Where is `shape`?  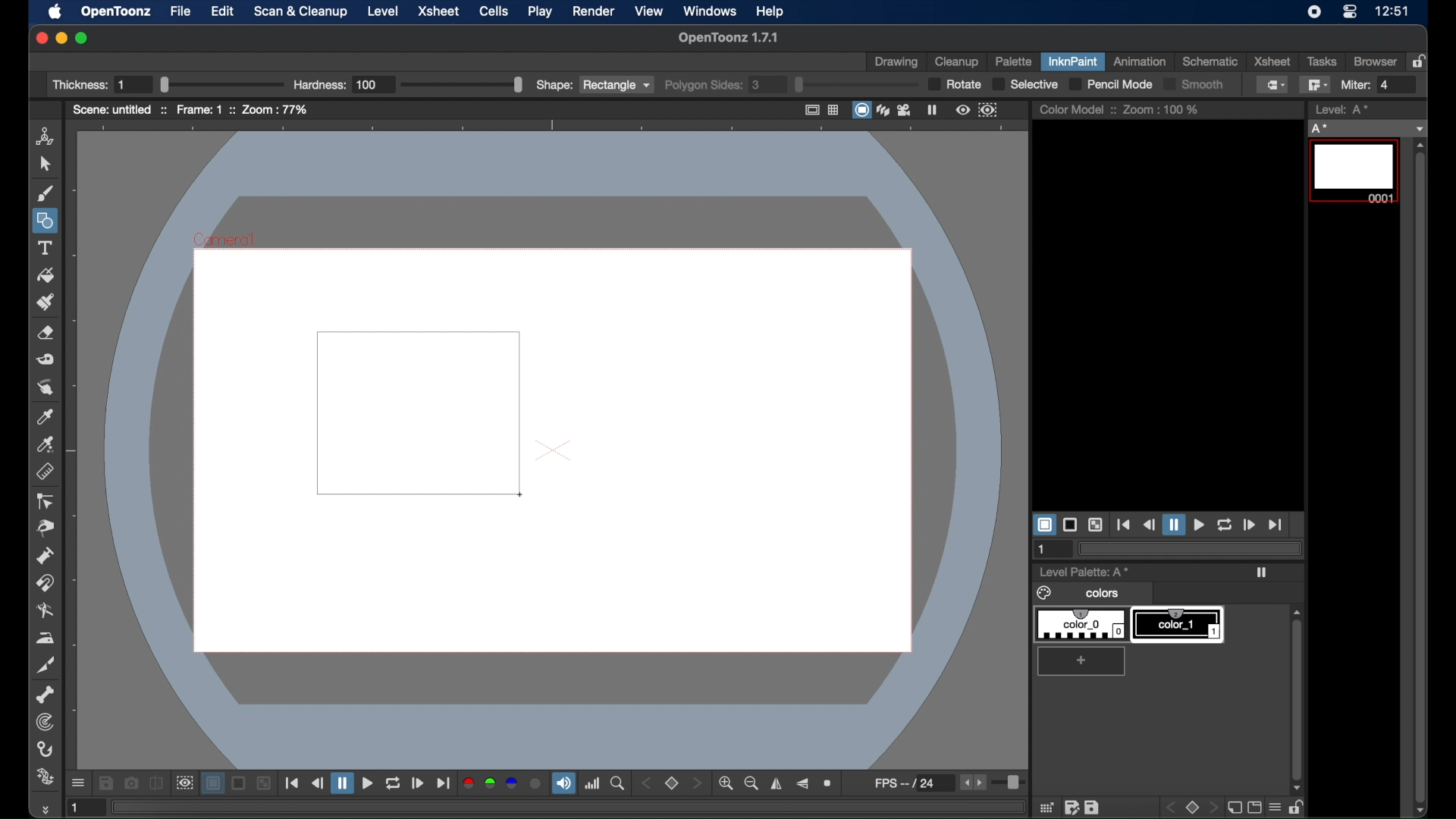 shape is located at coordinates (592, 85).